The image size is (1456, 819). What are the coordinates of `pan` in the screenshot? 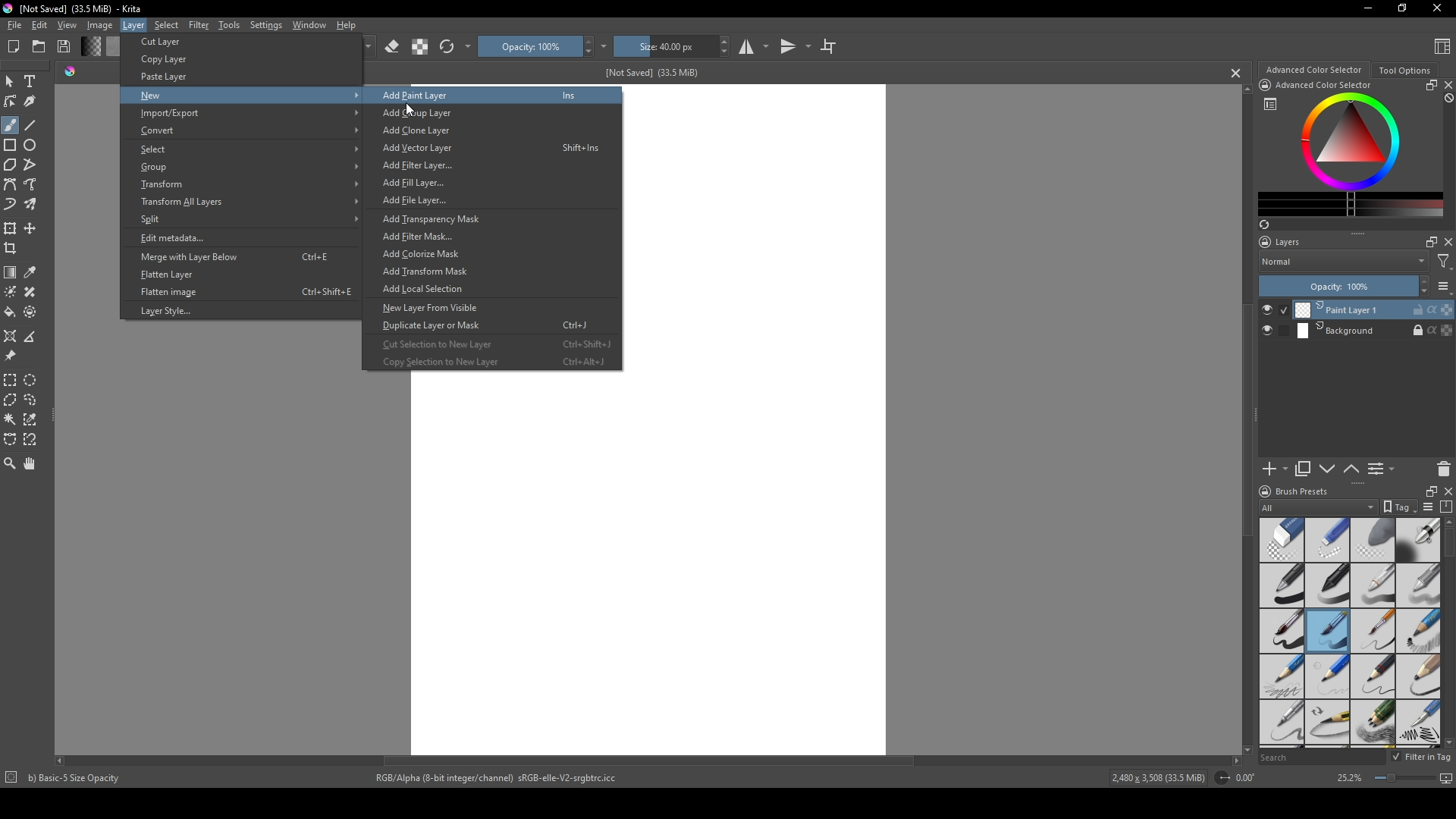 It's located at (31, 463).